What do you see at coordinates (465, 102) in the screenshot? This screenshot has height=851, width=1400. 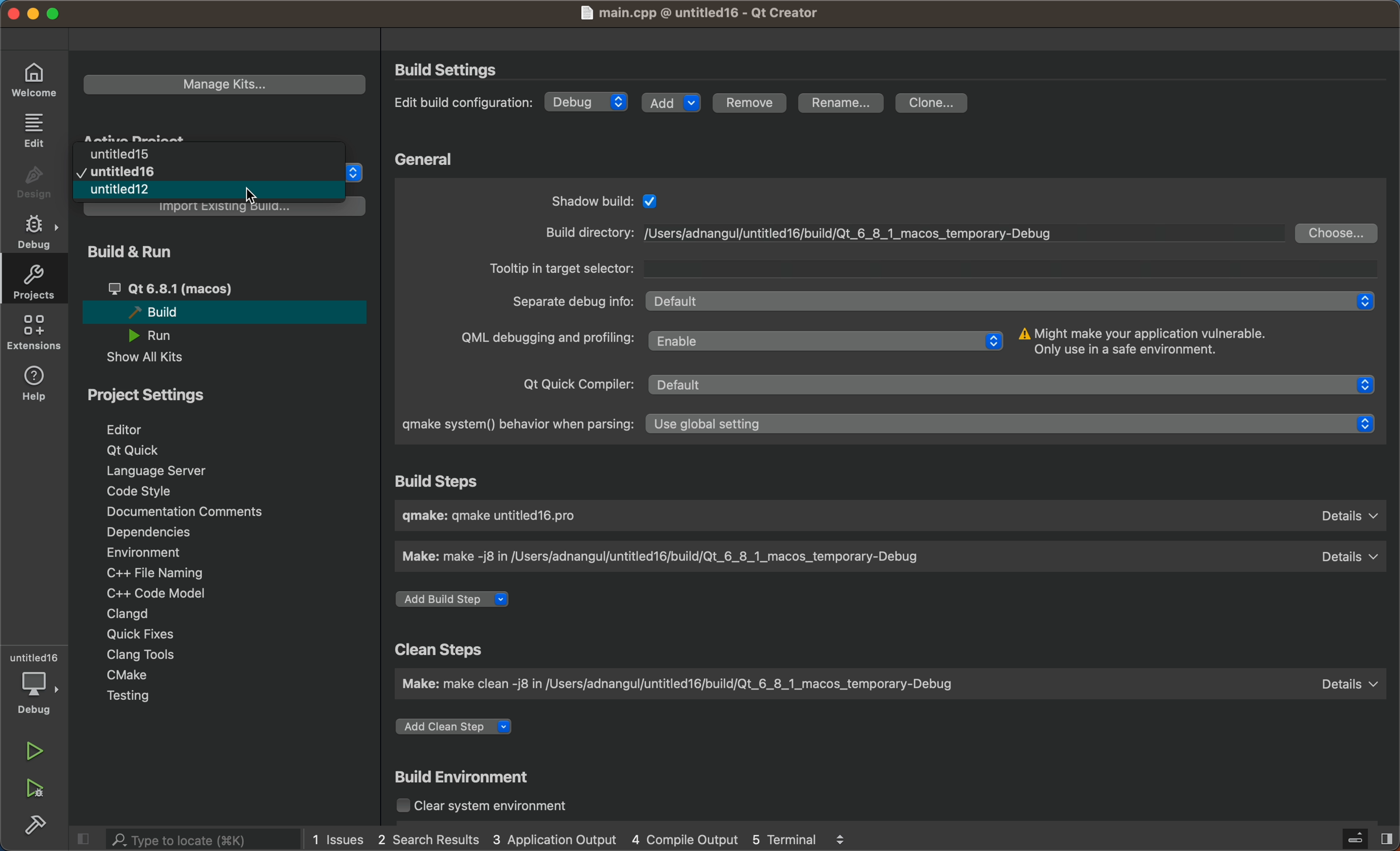 I see `edit build` at bounding box center [465, 102].